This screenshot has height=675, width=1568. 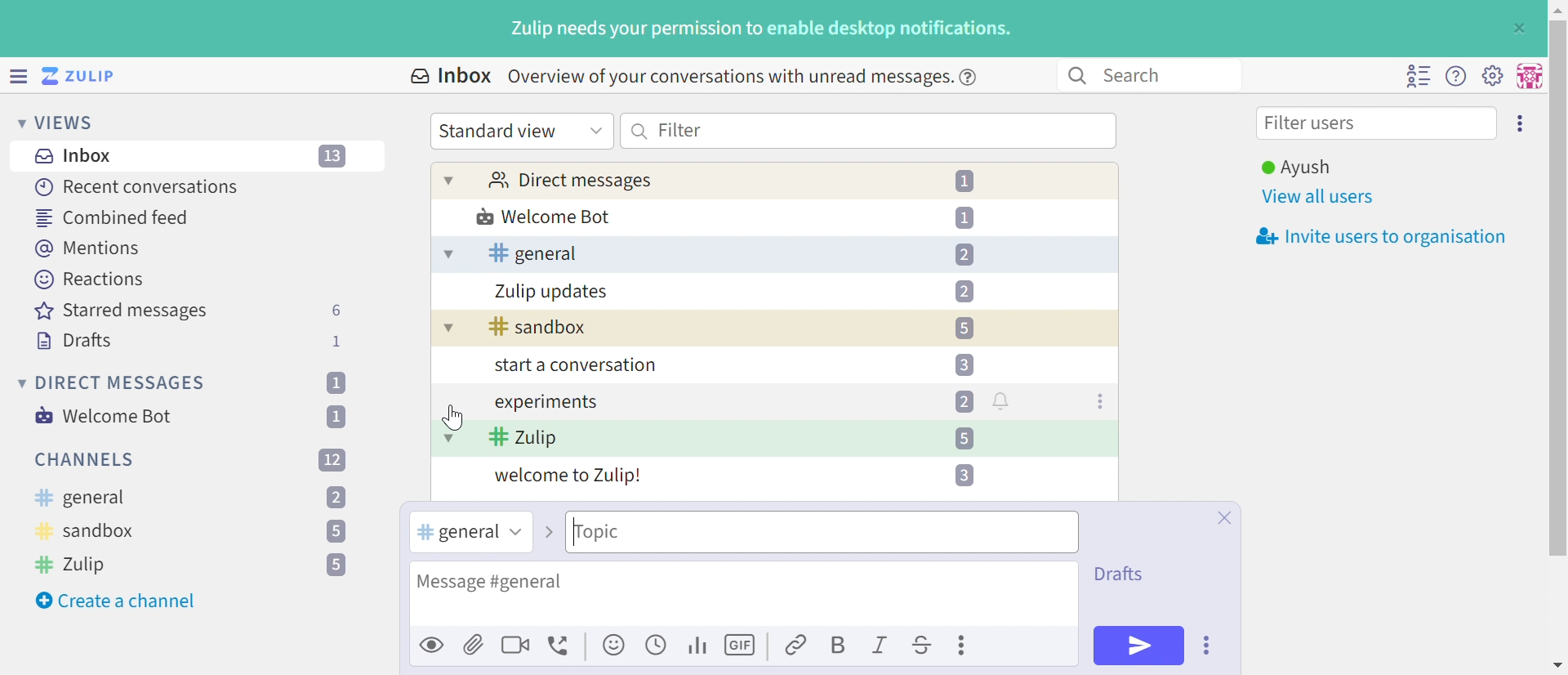 I want to click on experiments, so click(x=545, y=403).